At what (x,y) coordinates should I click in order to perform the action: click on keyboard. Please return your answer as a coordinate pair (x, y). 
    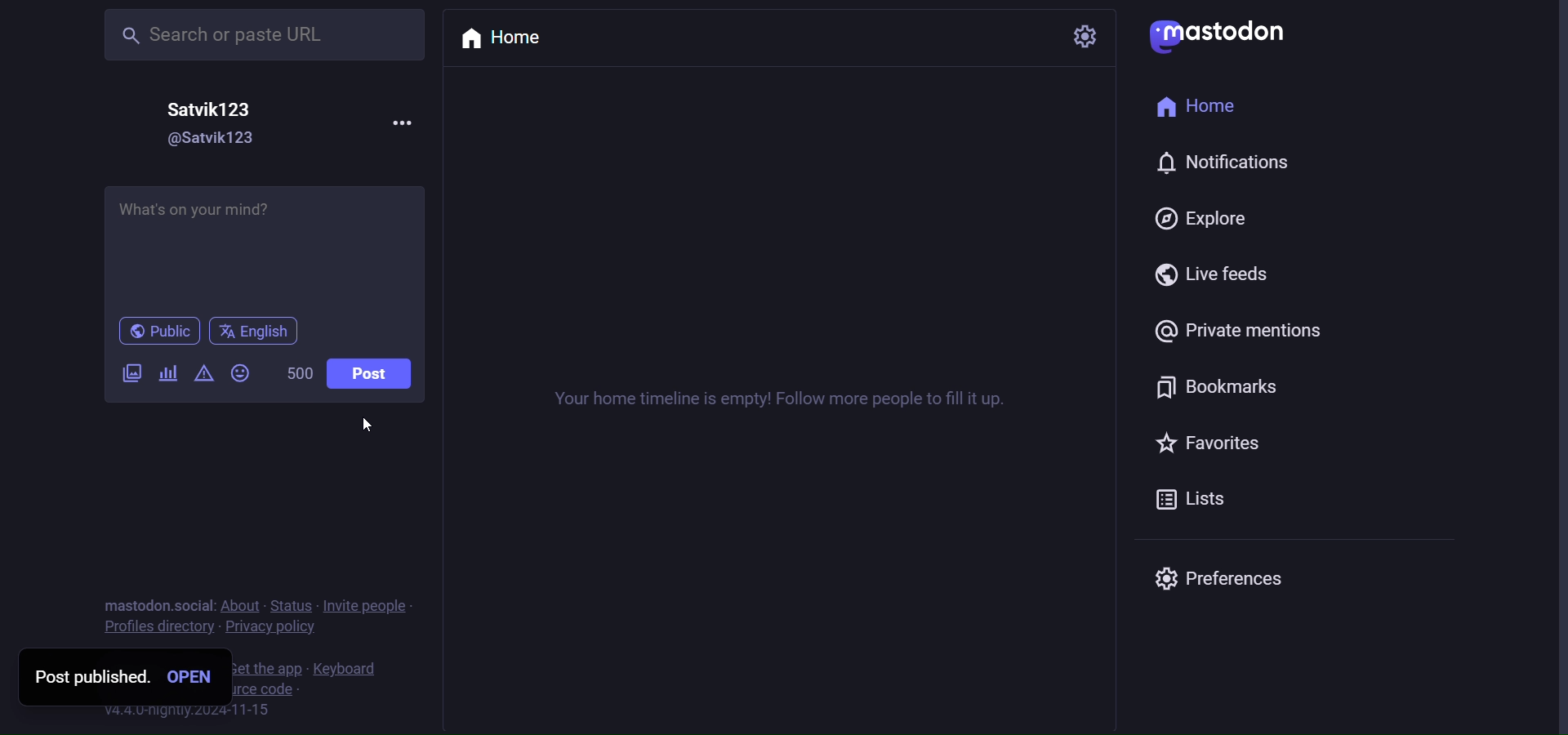
    Looking at the image, I should click on (351, 669).